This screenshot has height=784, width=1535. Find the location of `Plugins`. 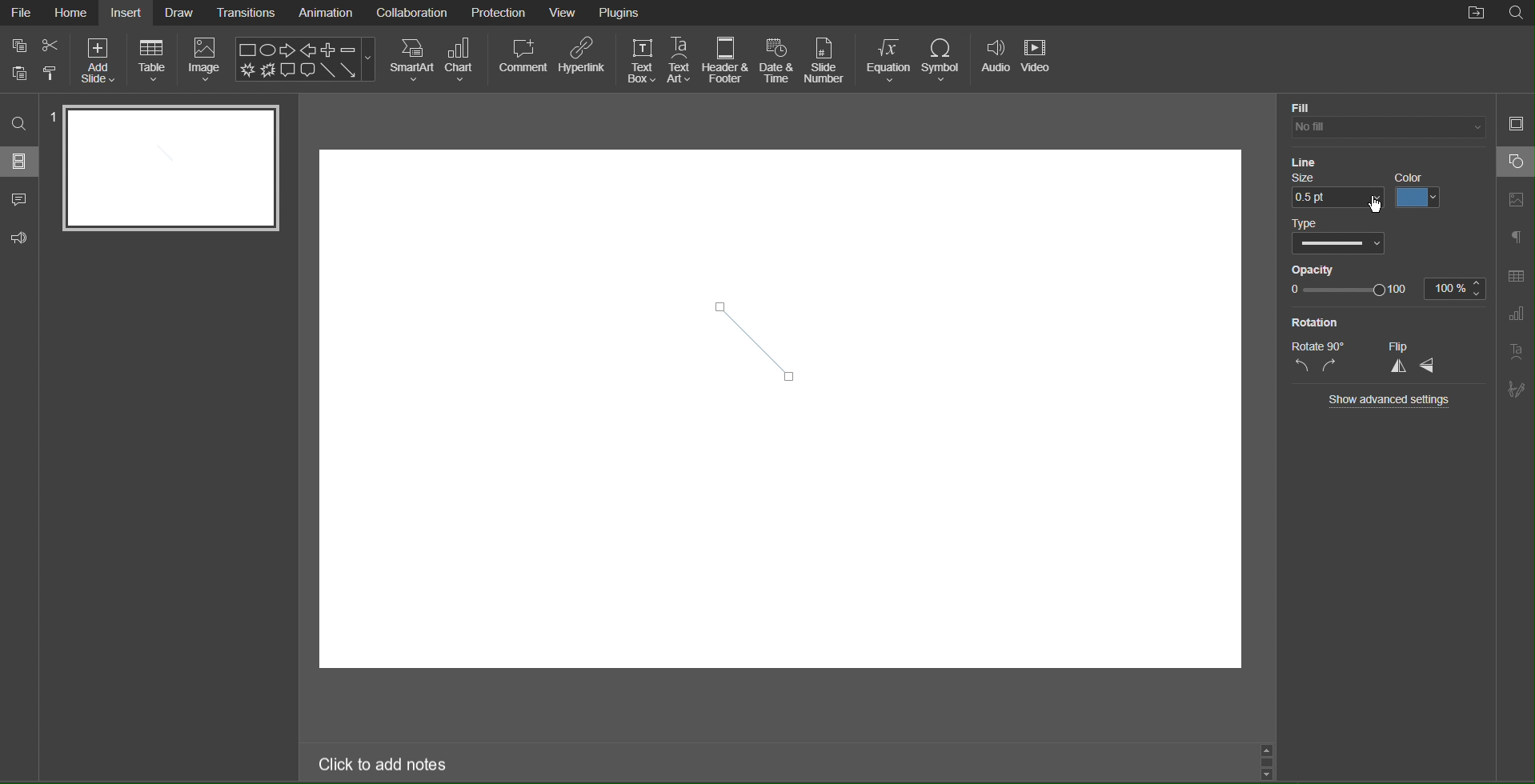

Plugins is located at coordinates (622, 13).